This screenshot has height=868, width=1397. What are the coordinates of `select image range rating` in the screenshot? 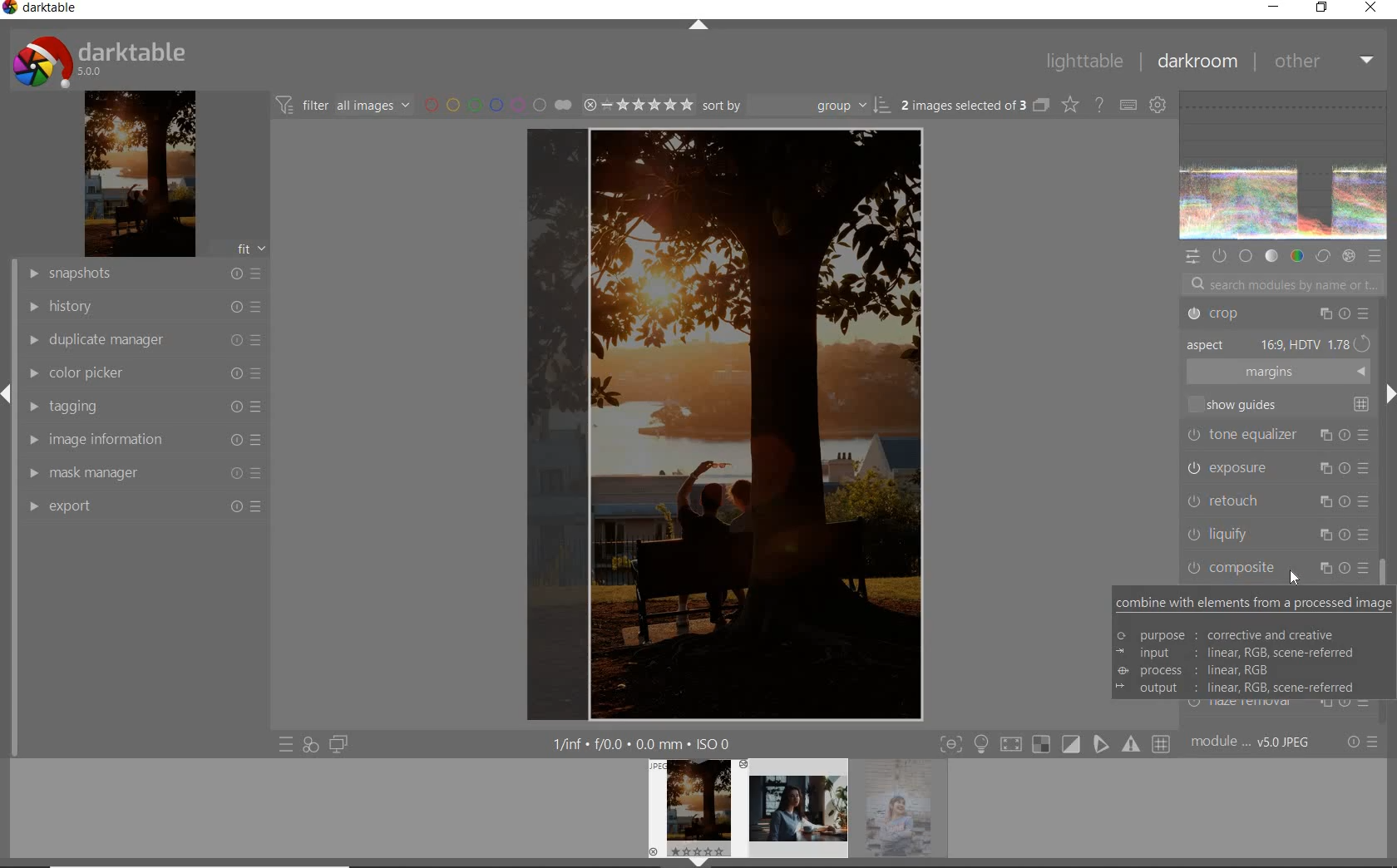 It's located at (635, 105).